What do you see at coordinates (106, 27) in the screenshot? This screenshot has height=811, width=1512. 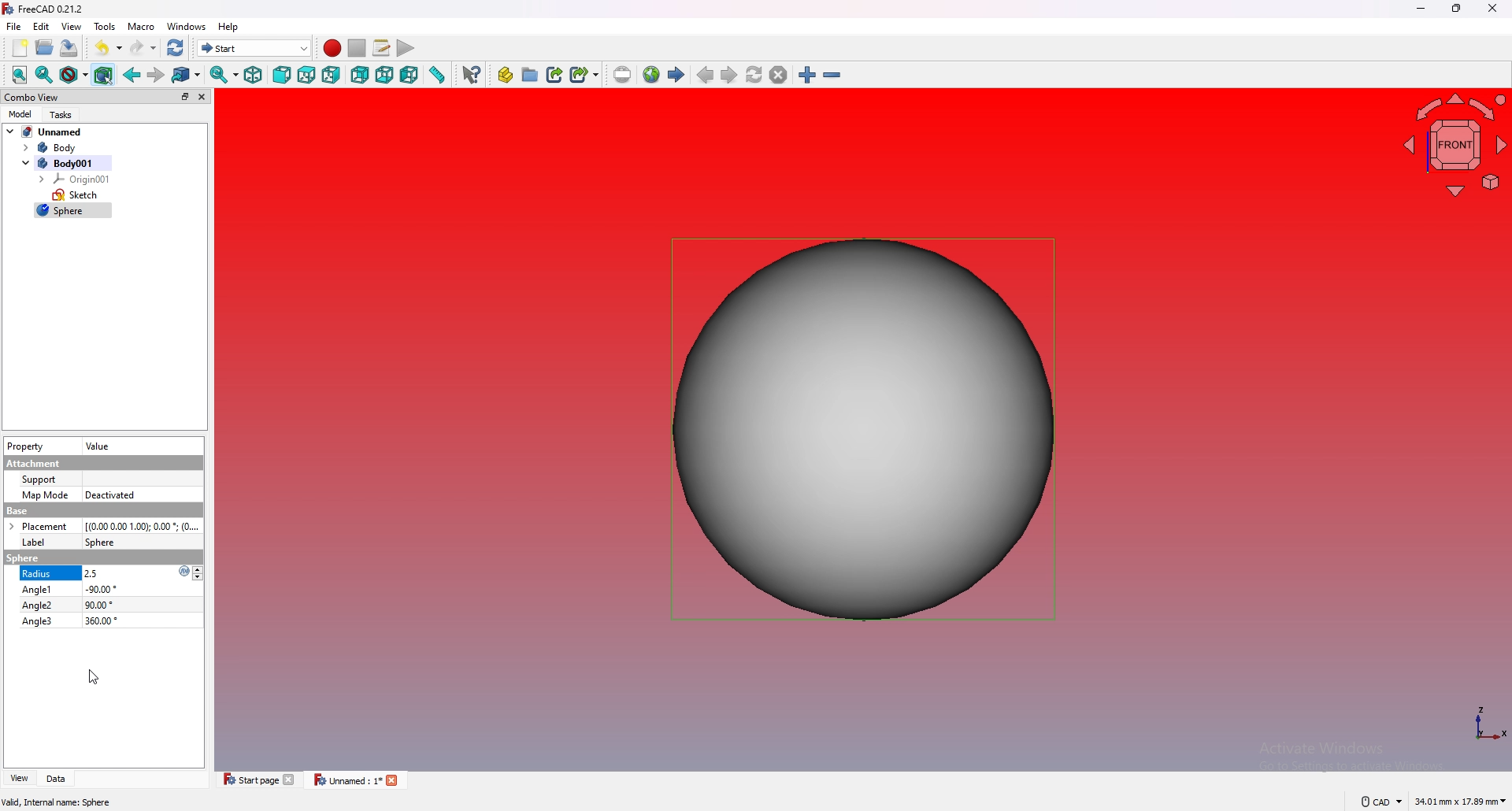 I see `tools` at bounding box center [106, 27].